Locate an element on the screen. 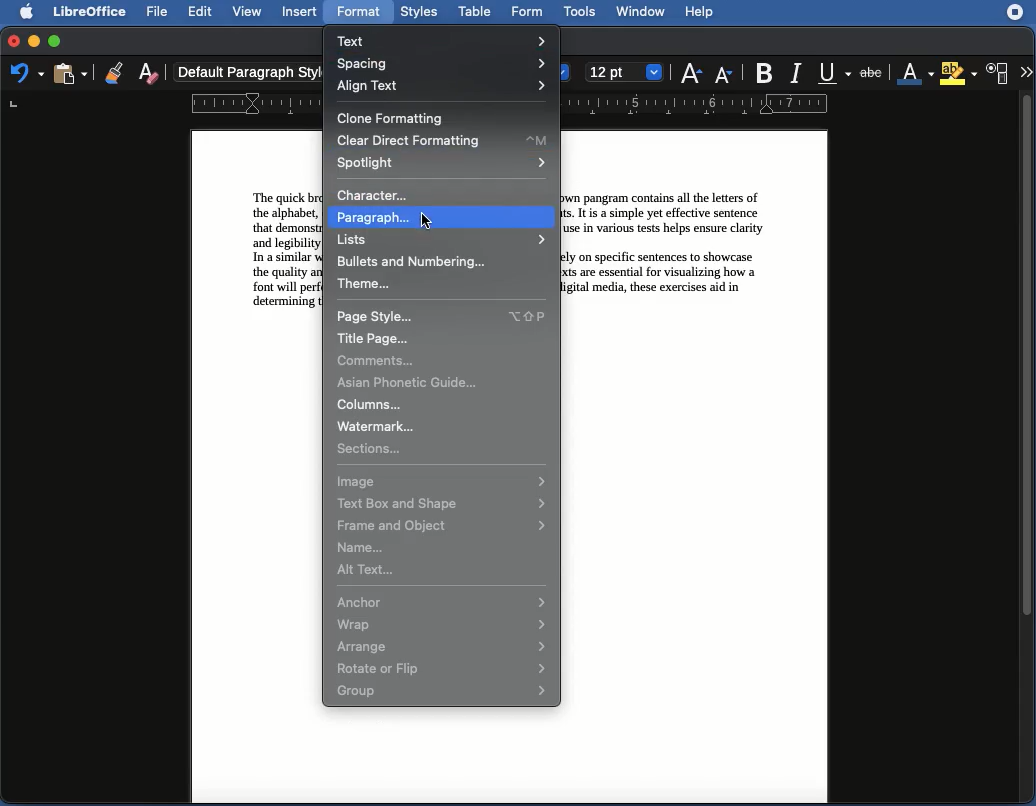  Italic is located at coordinates (797, 74).